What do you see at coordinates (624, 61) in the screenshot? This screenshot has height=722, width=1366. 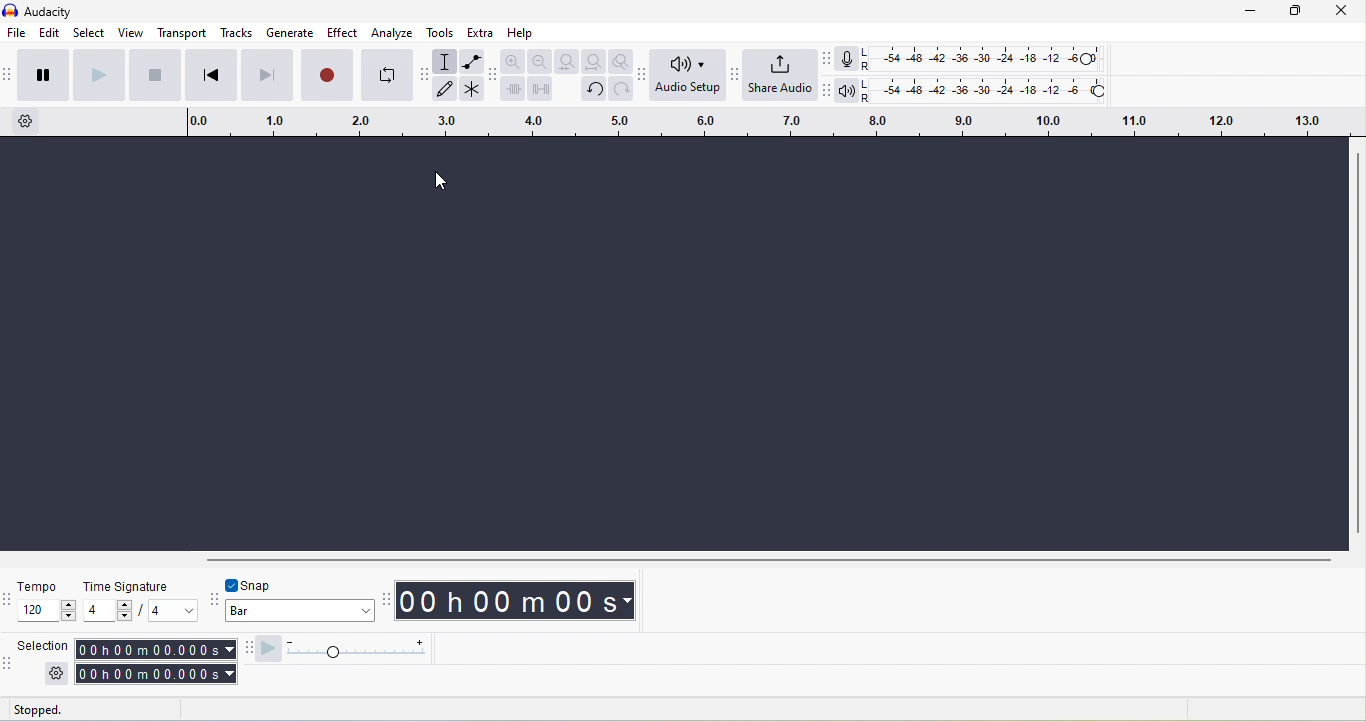 I see `zoom toggle` at bounding box center [624, 61].